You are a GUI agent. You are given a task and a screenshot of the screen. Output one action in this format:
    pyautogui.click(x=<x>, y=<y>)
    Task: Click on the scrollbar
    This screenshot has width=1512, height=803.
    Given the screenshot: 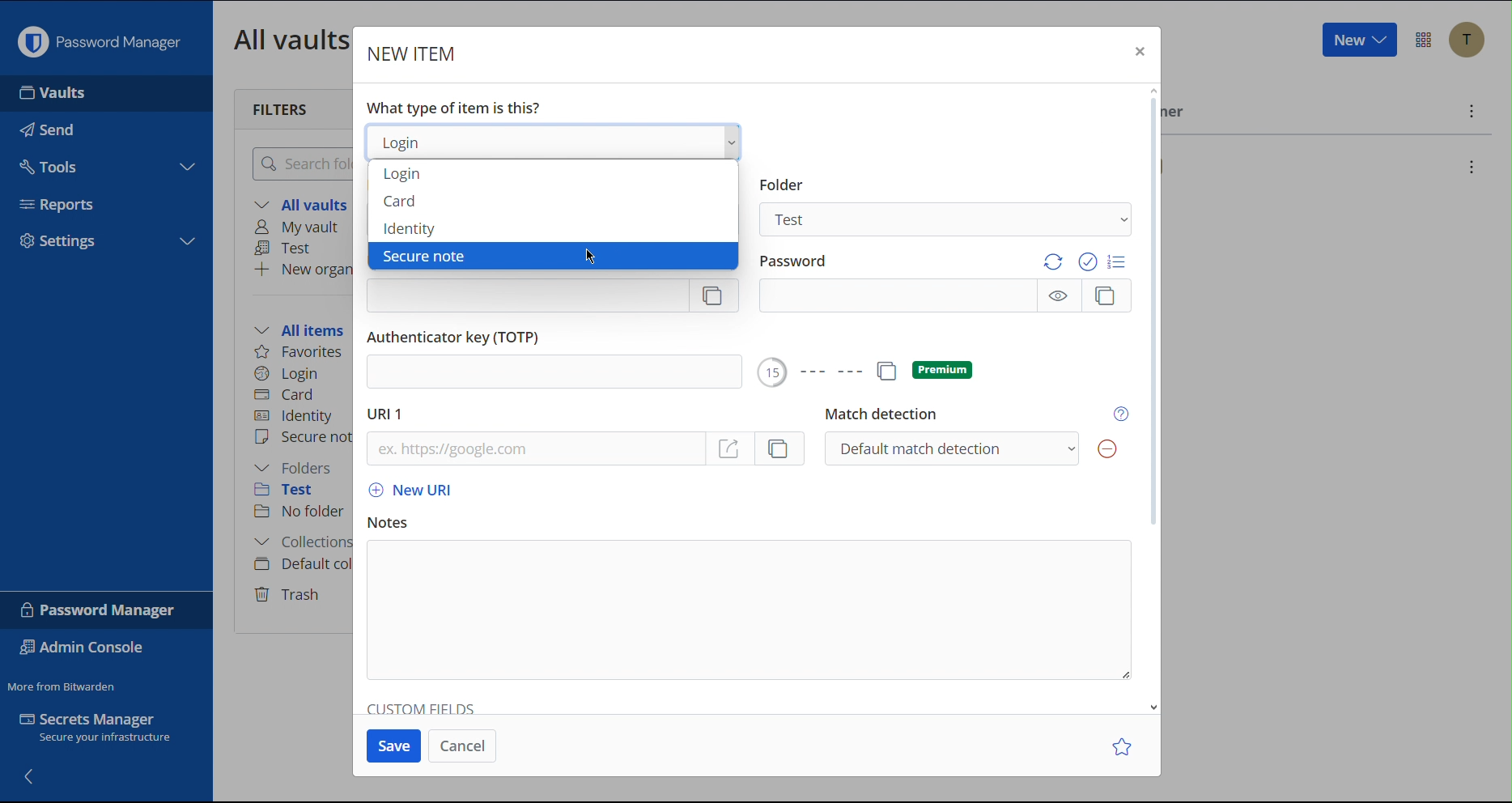 What is the action you would take?
    pyautogui.click(x=1151, y=310)
    